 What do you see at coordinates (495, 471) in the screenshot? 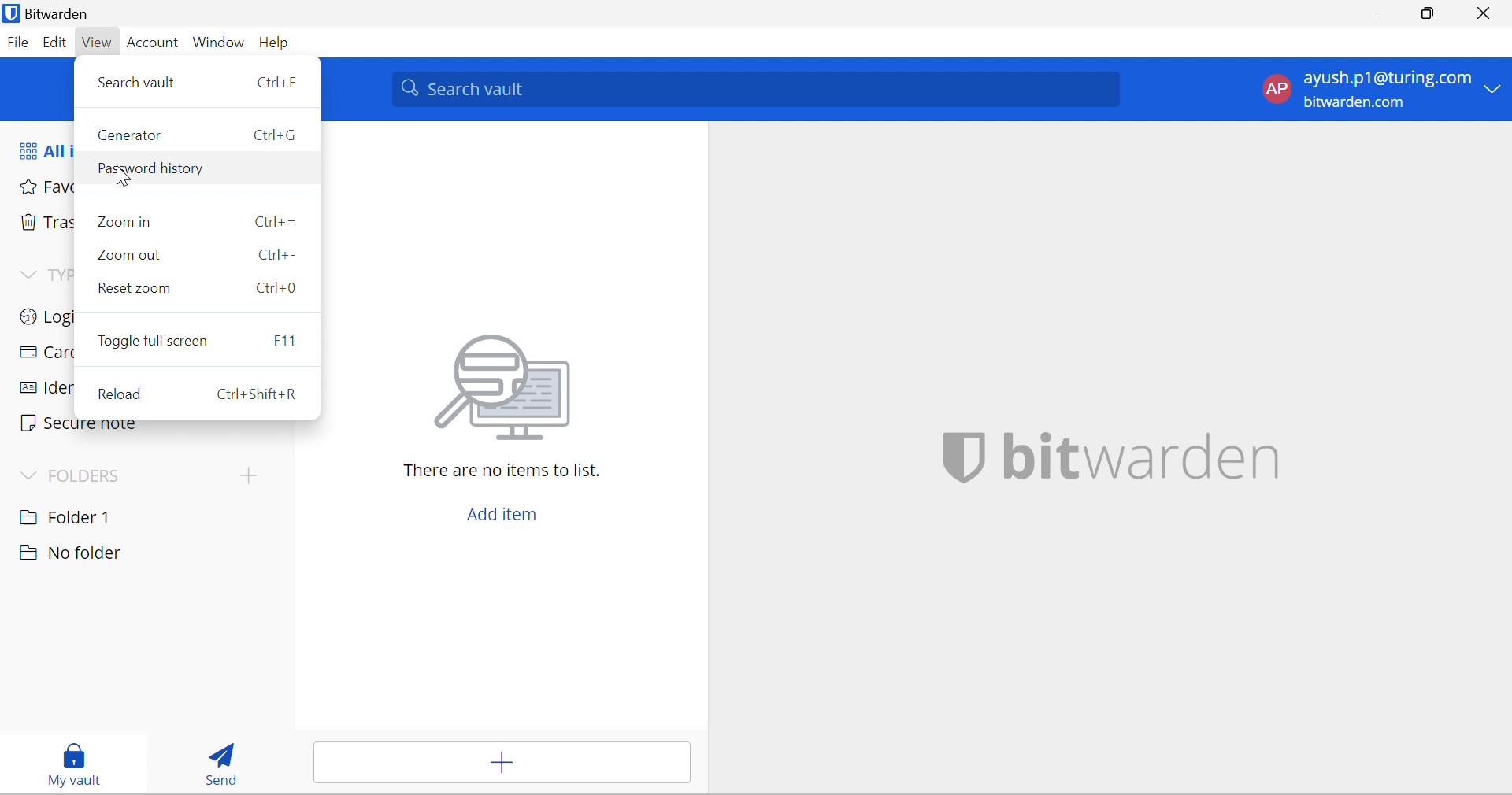
I see `There are no items to list.` at bounding box center [495, 471].